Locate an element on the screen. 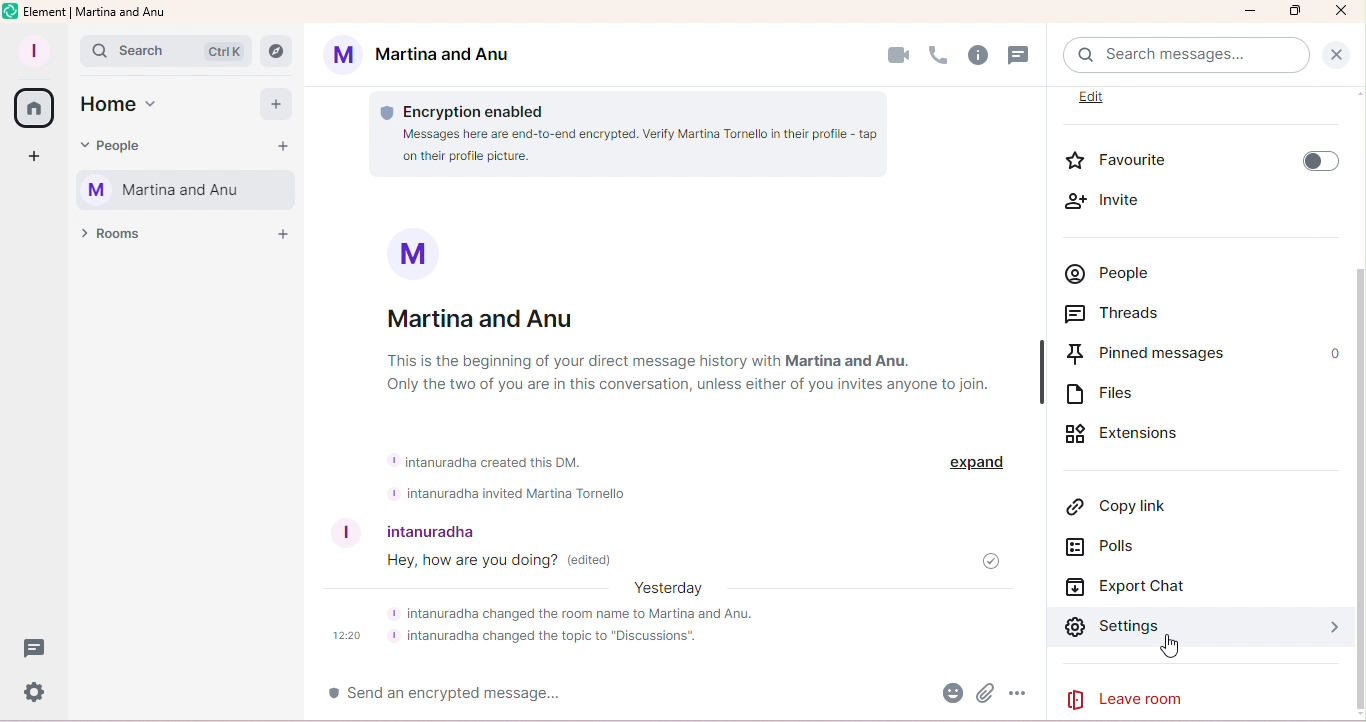 The width and height of the screenshot is (1366, 722). more options is located at coordinates (1022, 696).